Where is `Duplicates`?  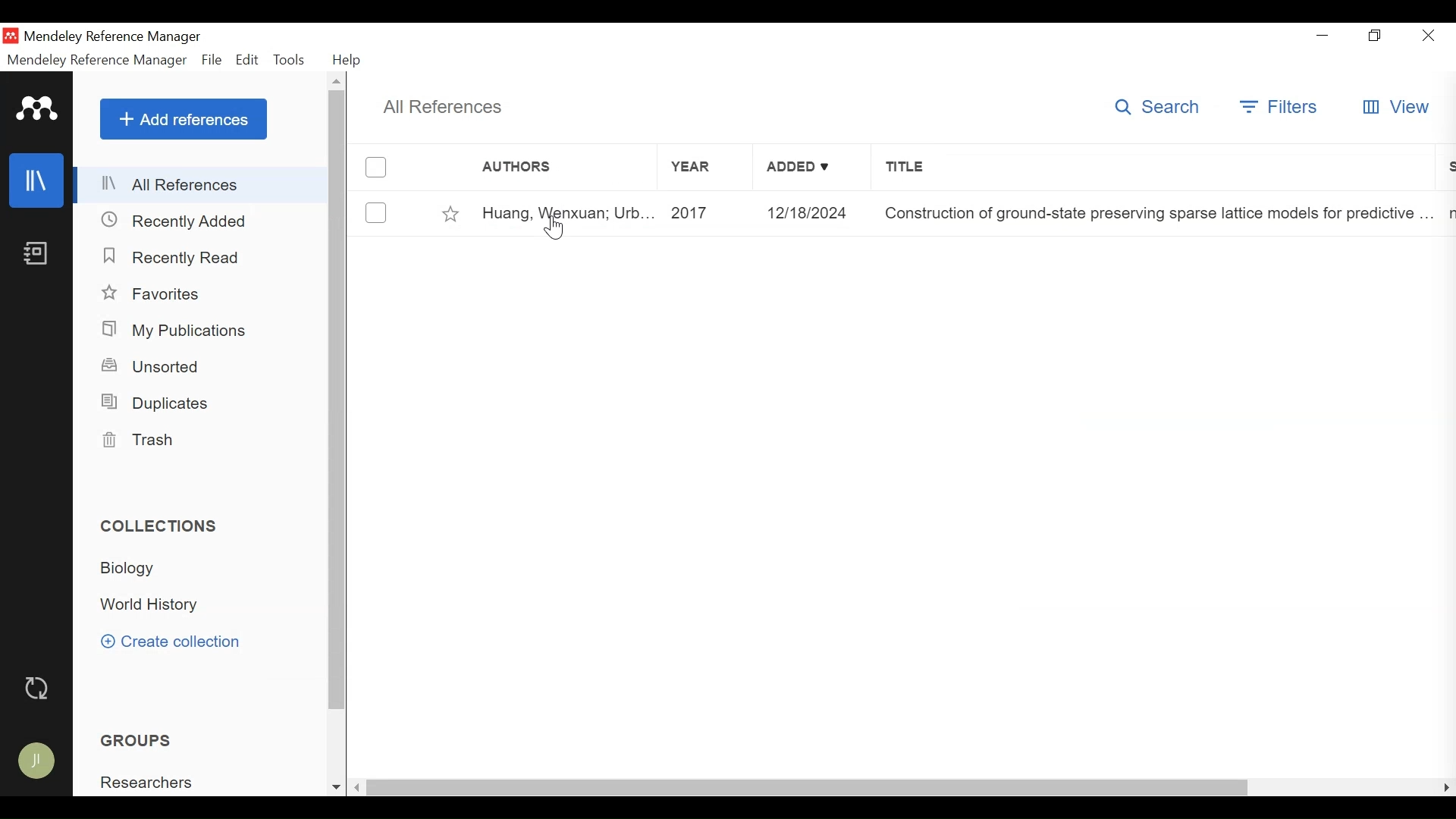 Duplicates is located at coordinates (158, 402).